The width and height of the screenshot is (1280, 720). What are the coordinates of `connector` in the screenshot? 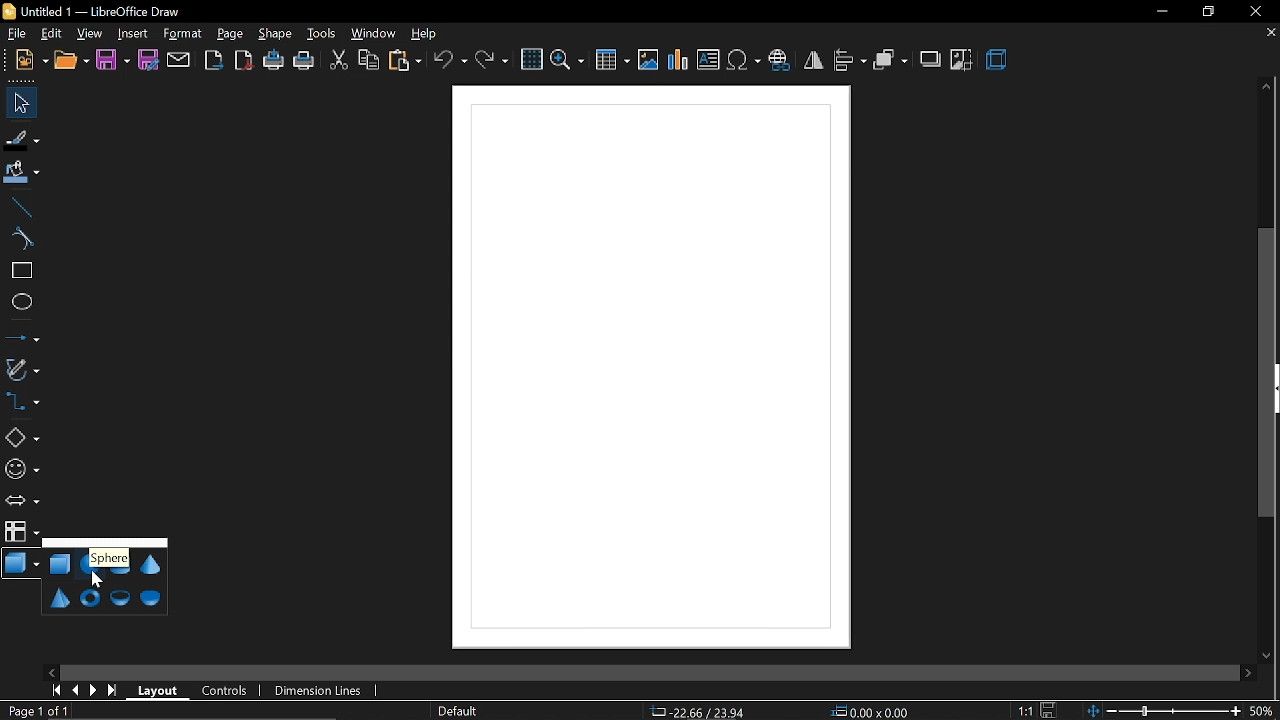 It's located at (26, 400).